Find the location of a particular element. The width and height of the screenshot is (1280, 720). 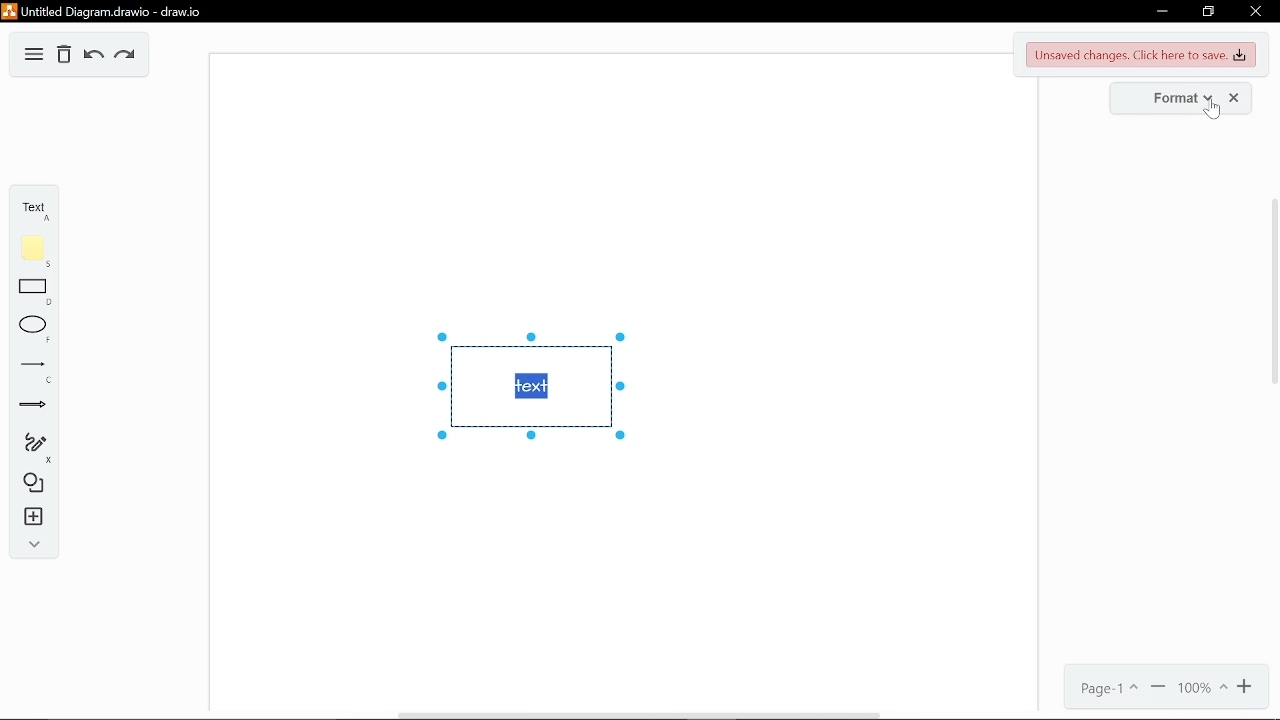

zoom out is located at coordinates (1158, 687).